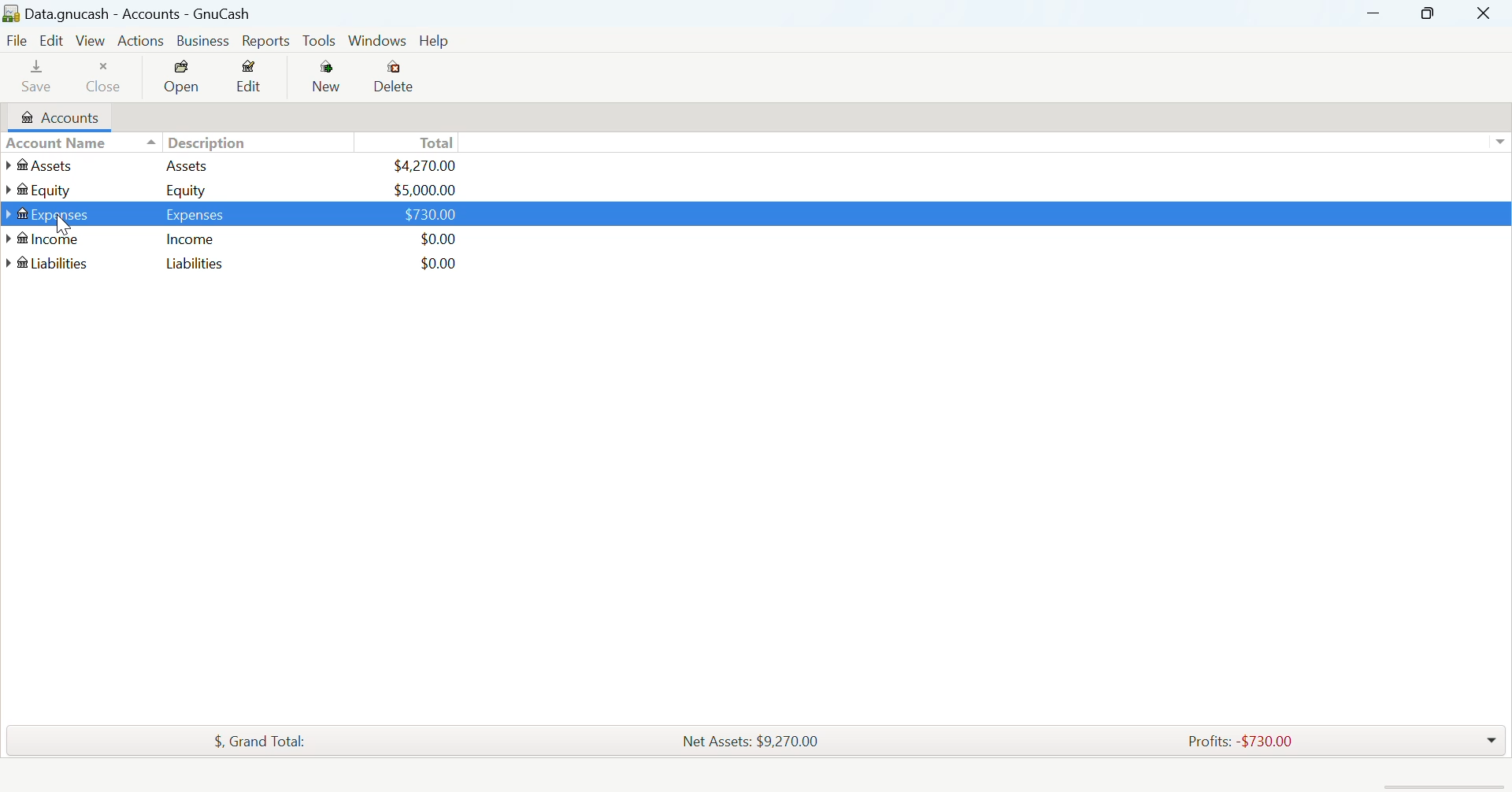 The height and width of the screenshot is (792, 1512). Describe the element at coordinates (109, 80) in the screenshot. I see `Close` at that location.